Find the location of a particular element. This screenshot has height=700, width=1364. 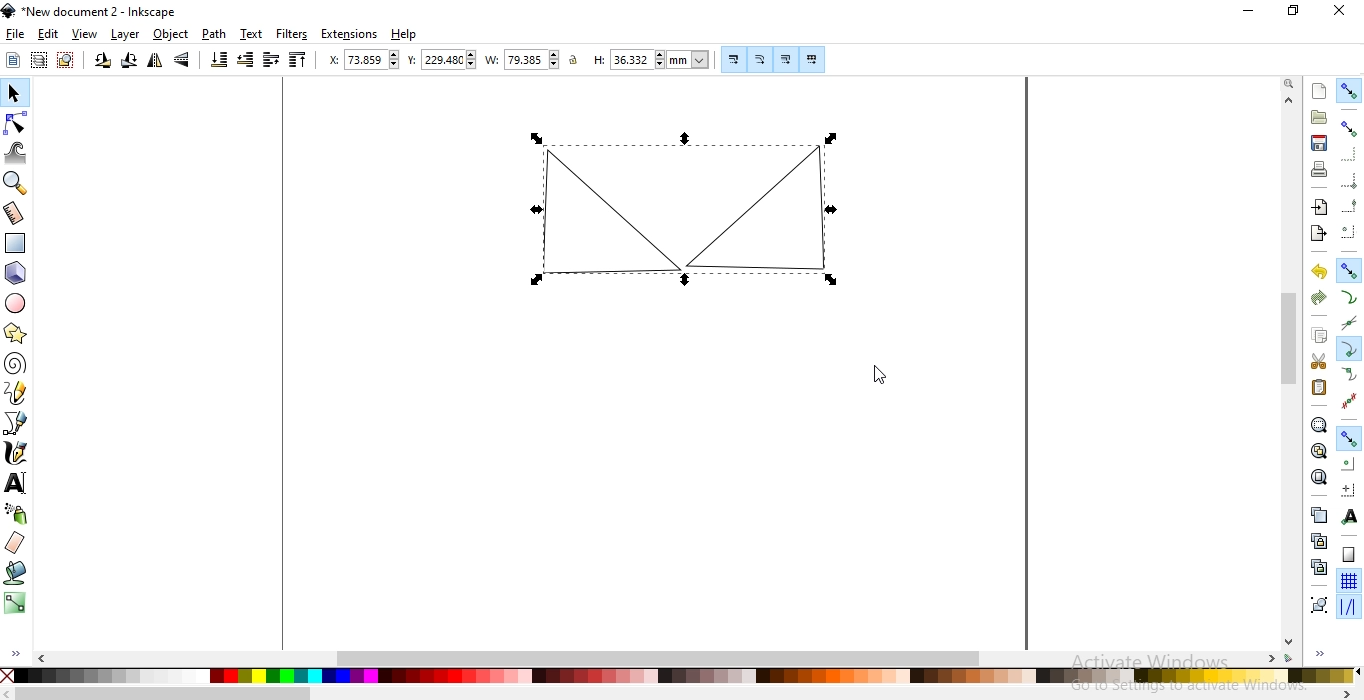

snap other points is located at coordinates (1350, 438).